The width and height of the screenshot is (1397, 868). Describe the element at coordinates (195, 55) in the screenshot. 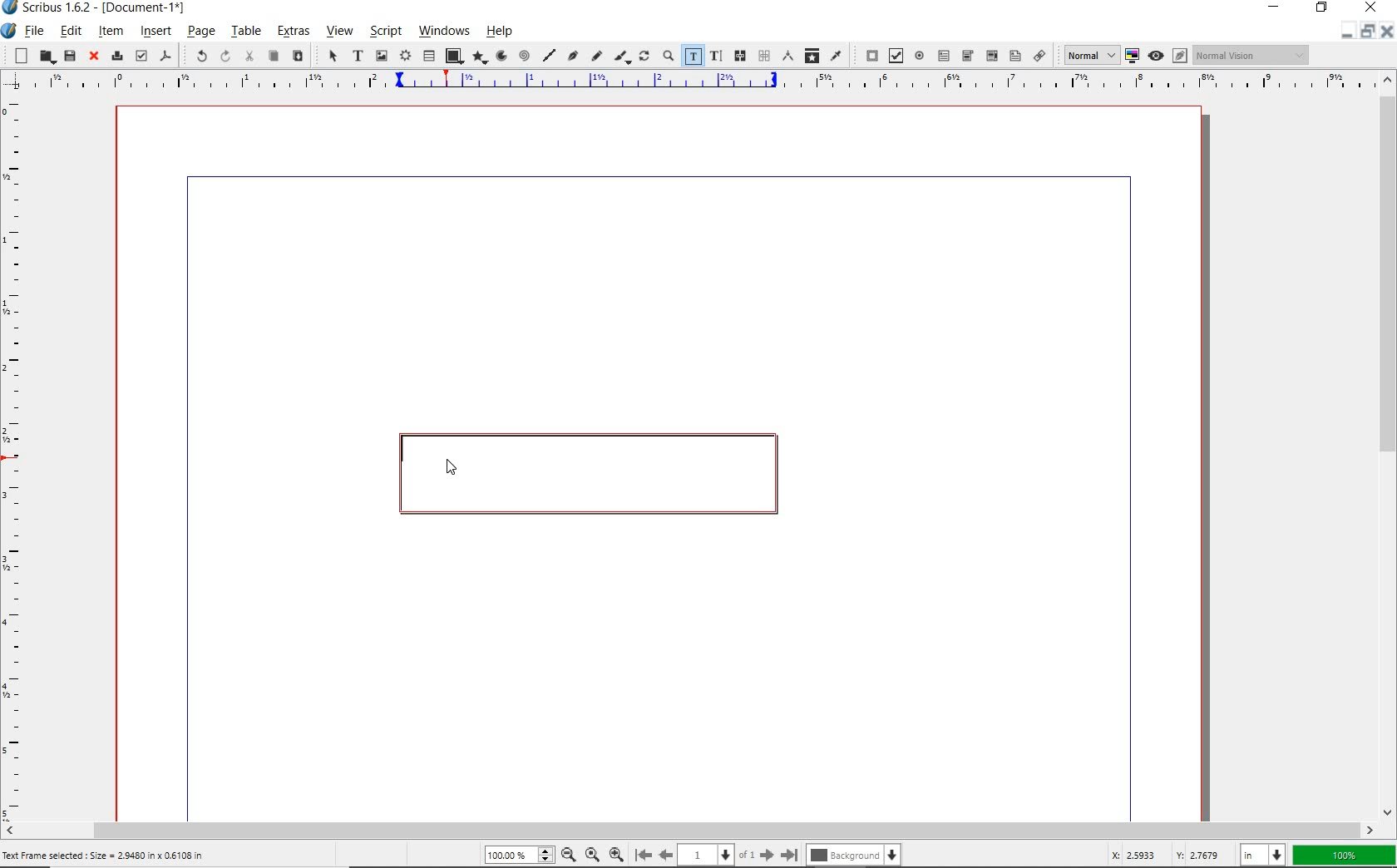

I see `undo` at that location.